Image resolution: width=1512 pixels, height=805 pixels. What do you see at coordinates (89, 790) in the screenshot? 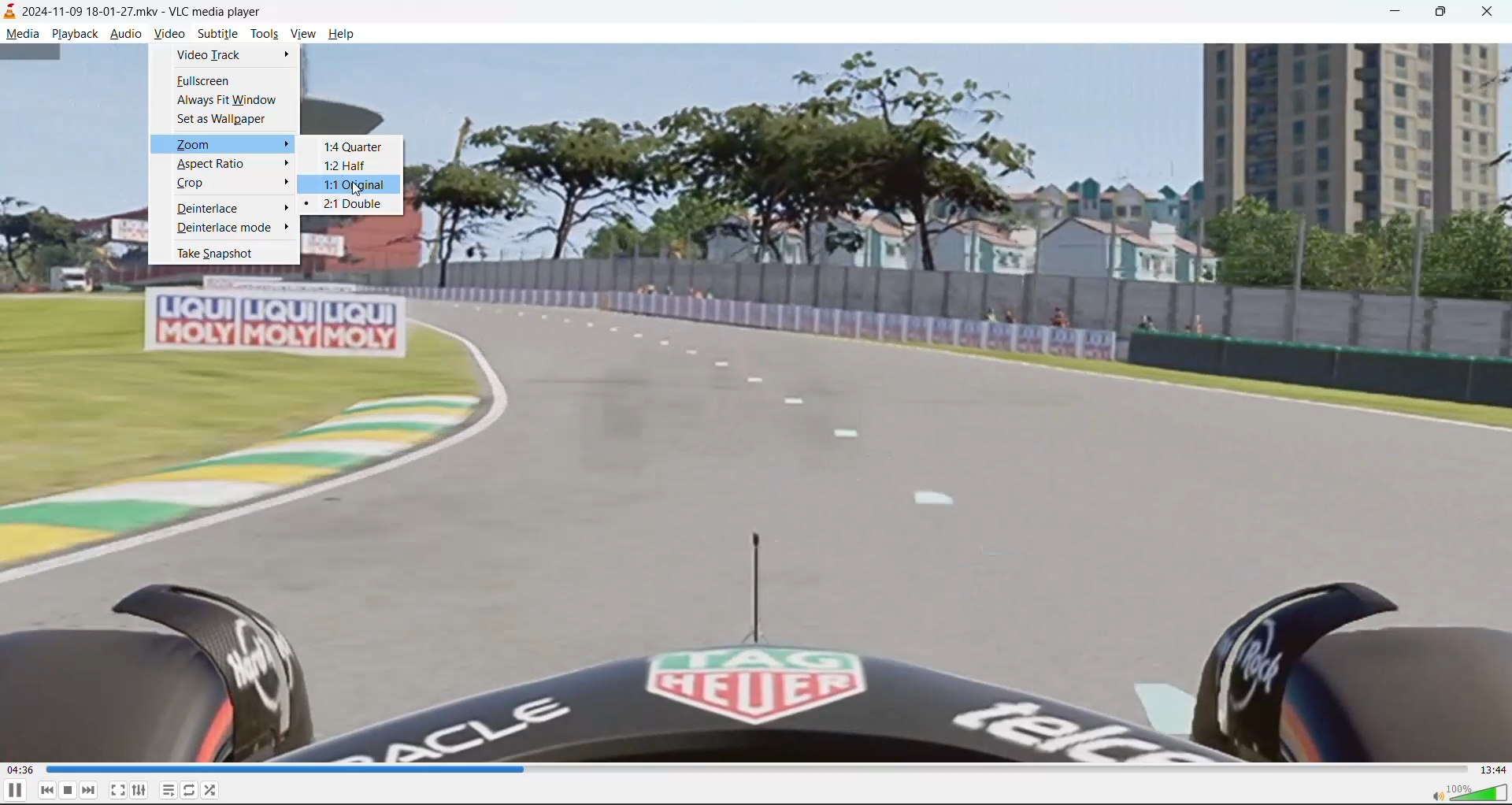
I see `next` at bounding box center [89, 790].